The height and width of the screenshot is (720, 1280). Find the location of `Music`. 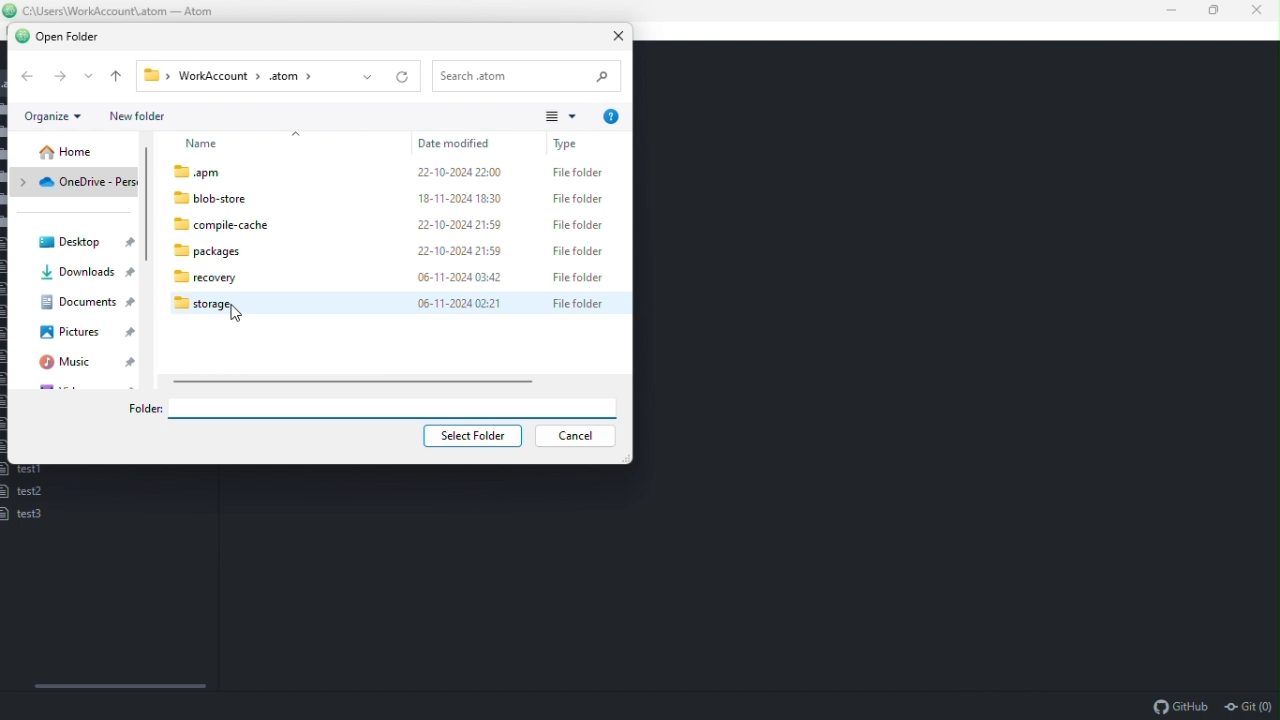

Music is located at coordinates (87, 361).